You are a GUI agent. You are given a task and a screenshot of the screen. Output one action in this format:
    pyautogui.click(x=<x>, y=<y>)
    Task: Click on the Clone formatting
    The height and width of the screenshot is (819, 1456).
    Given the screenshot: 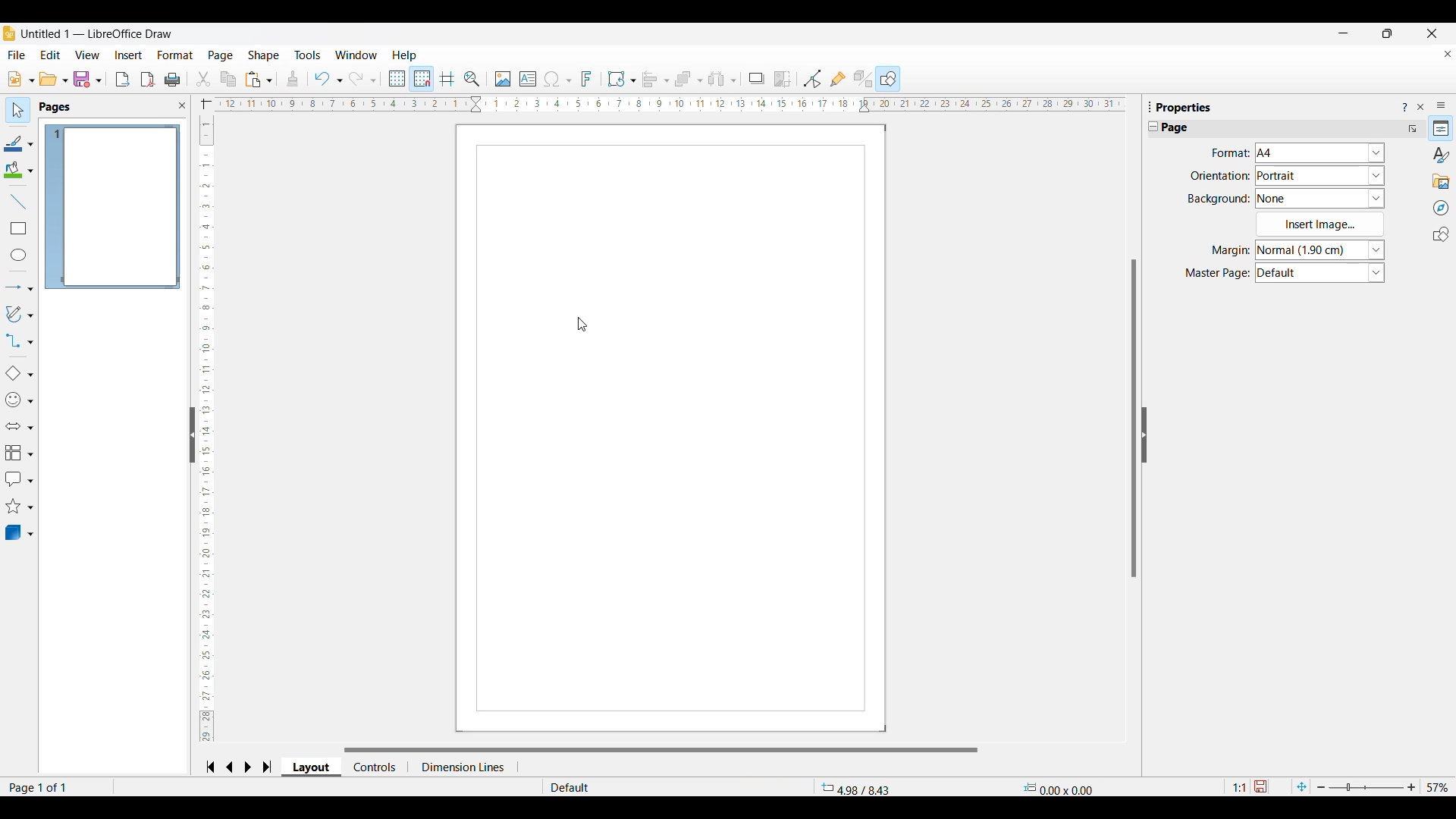 What is the action you would take?
    pyautogui.click(x=292, y=78)
    